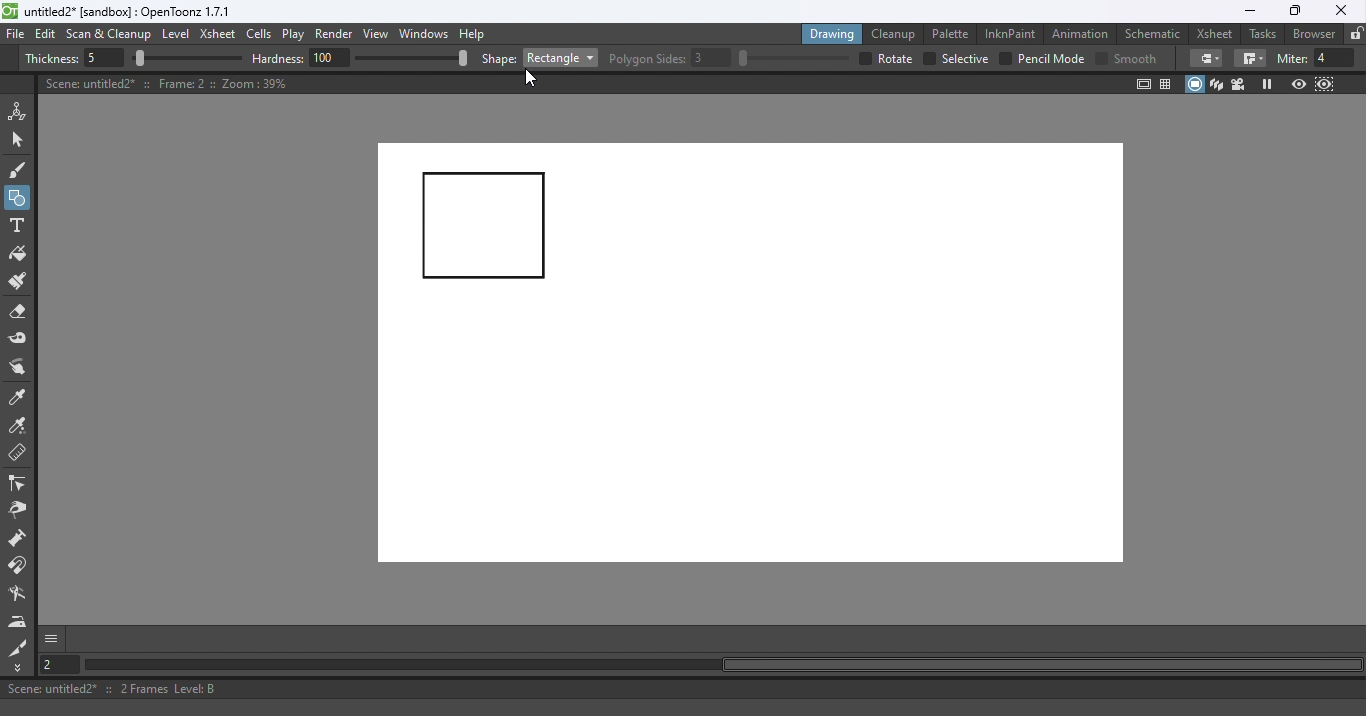  I want to click on Border corners, so click(1206, 58).